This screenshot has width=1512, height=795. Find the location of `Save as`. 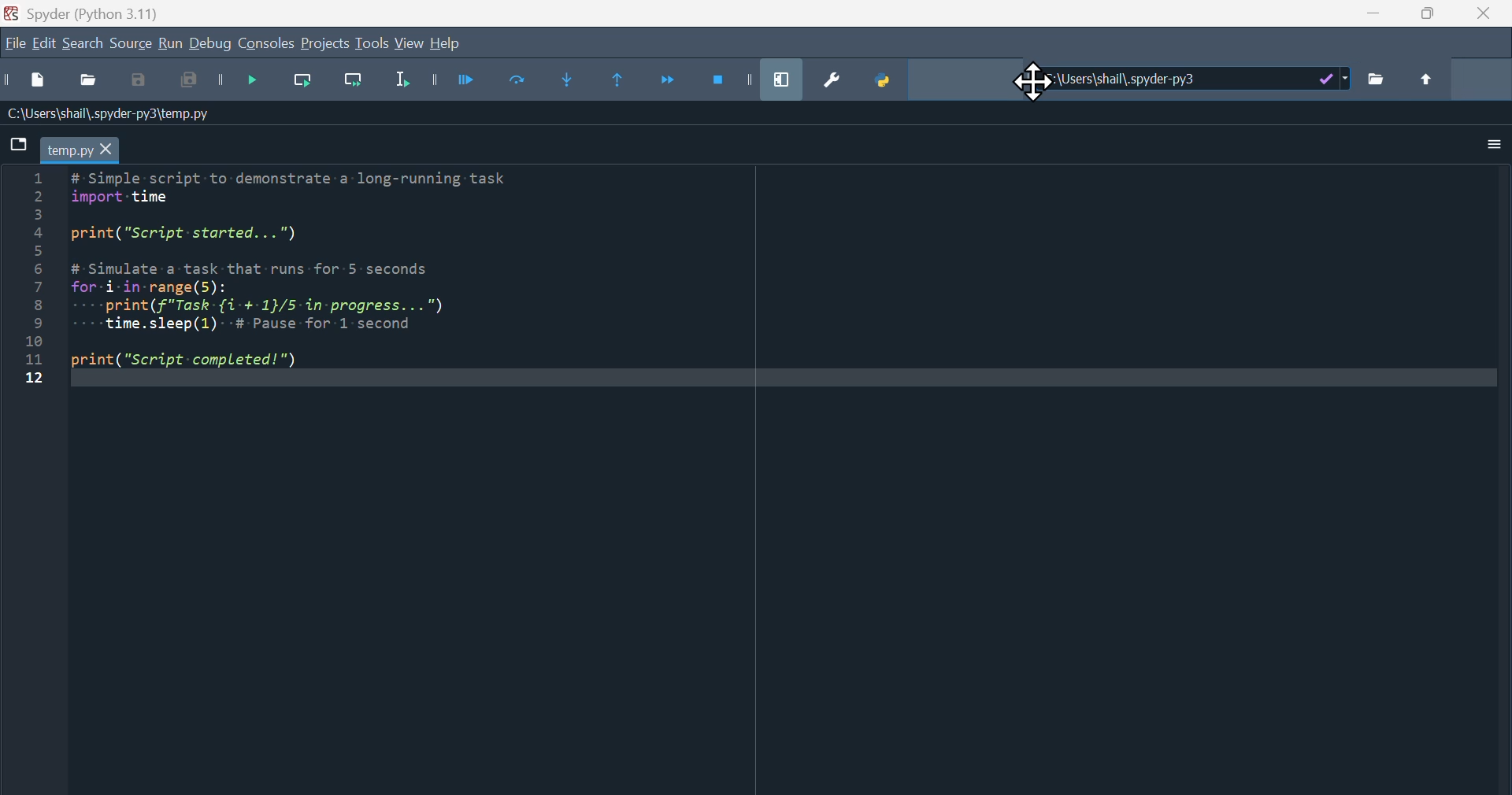

Save as is located at coordinates (143, 83).